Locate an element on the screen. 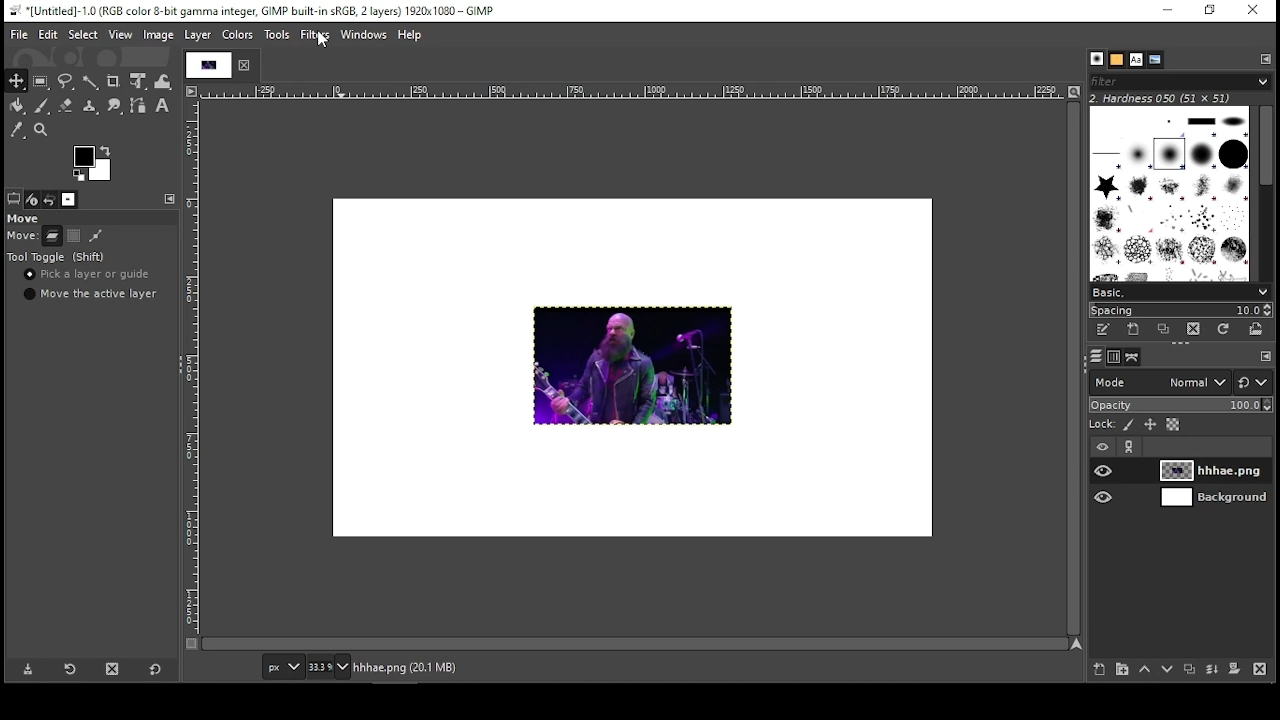 This screenshot has height=720, width=1280. move tool is located at coordinates (17, 79).